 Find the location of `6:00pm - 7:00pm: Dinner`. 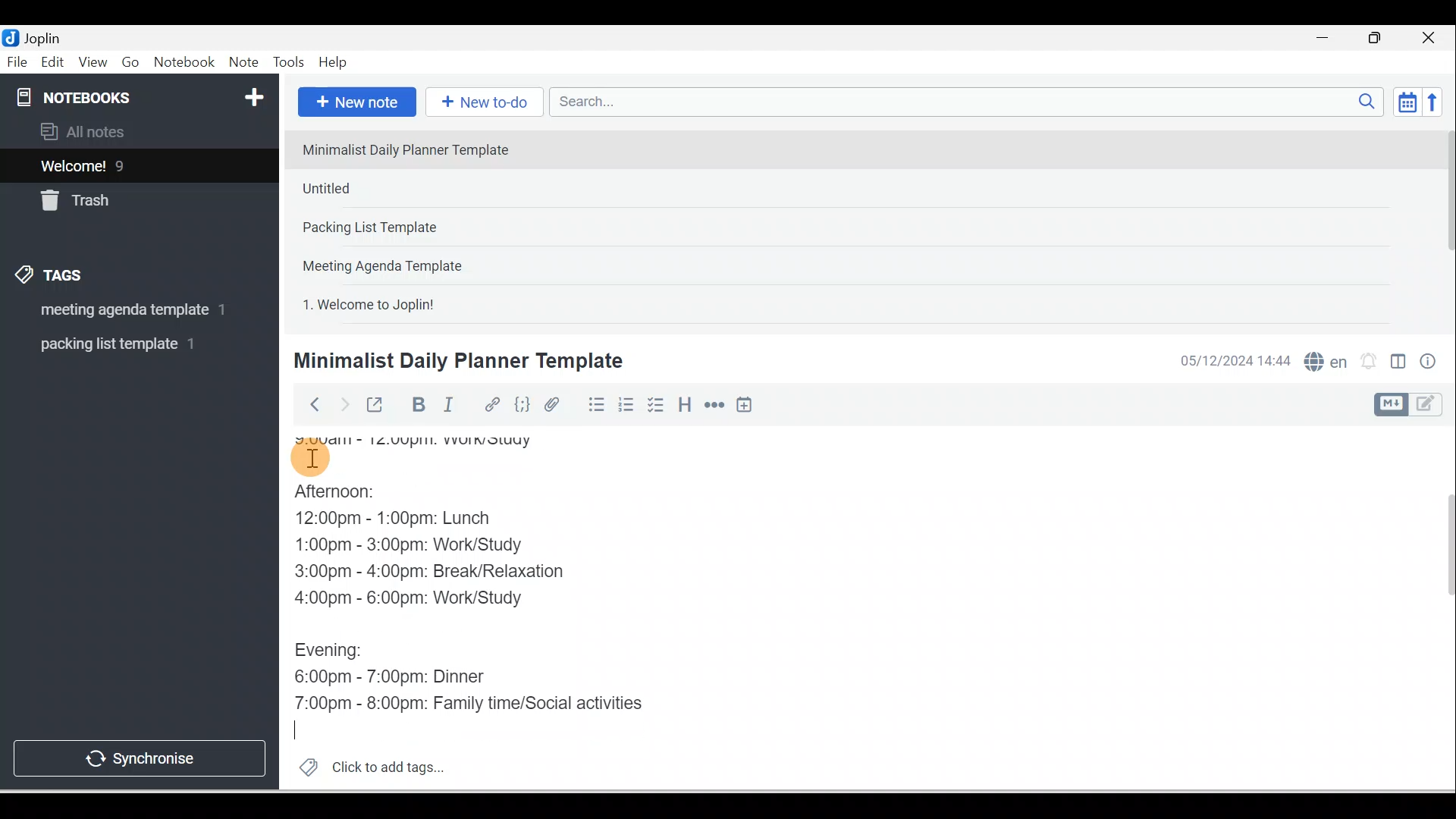

6:00pm - 7:00pm: Dinner is located at coordinates (401, 676).